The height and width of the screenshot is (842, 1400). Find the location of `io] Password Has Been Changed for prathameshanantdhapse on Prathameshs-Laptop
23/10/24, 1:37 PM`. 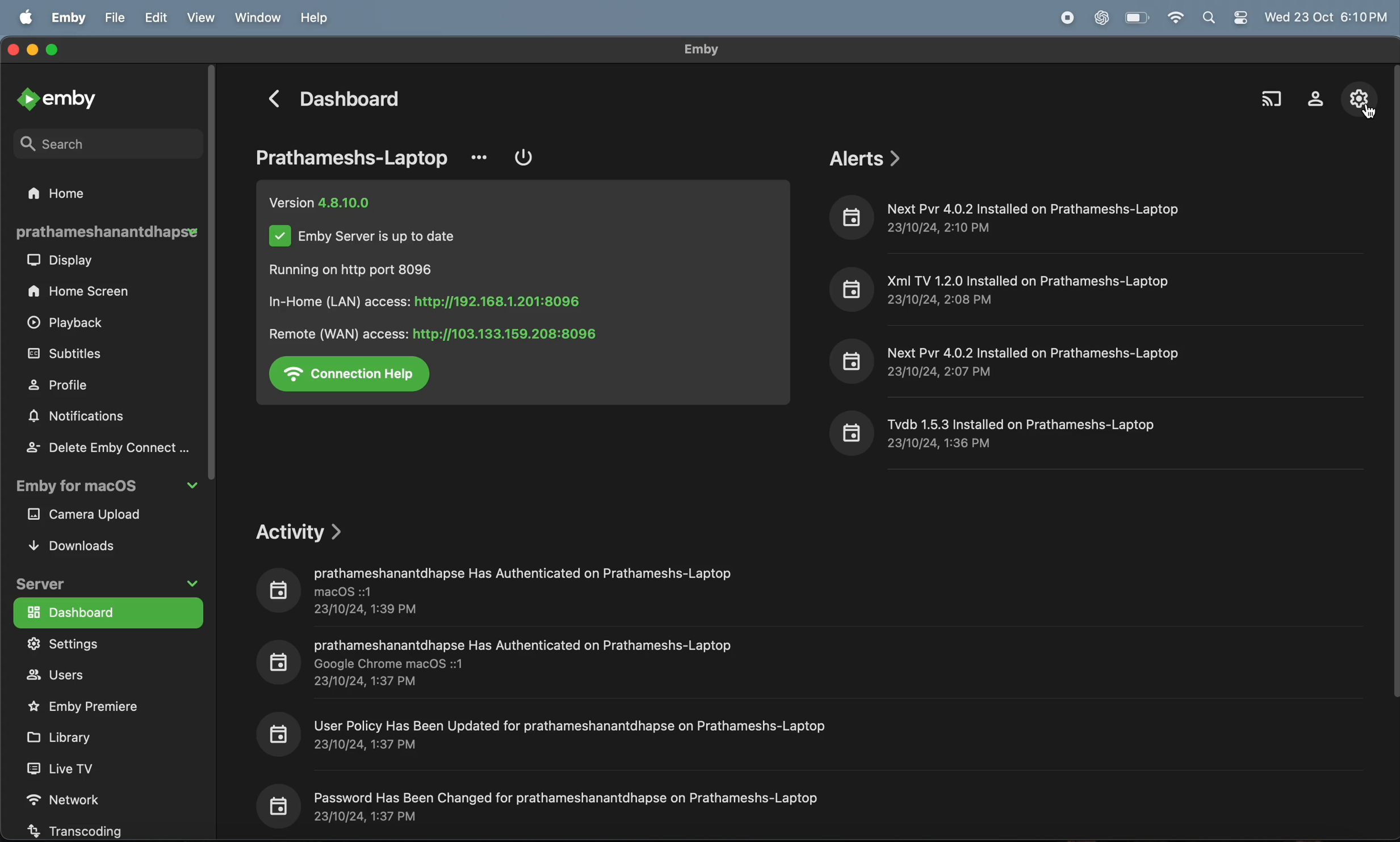

io] Password Has Been Changed for prathameshanantdhapse on Prathameshs-Laptop
23/10/24, 1:37 PM is located at coordinates (555, 804).